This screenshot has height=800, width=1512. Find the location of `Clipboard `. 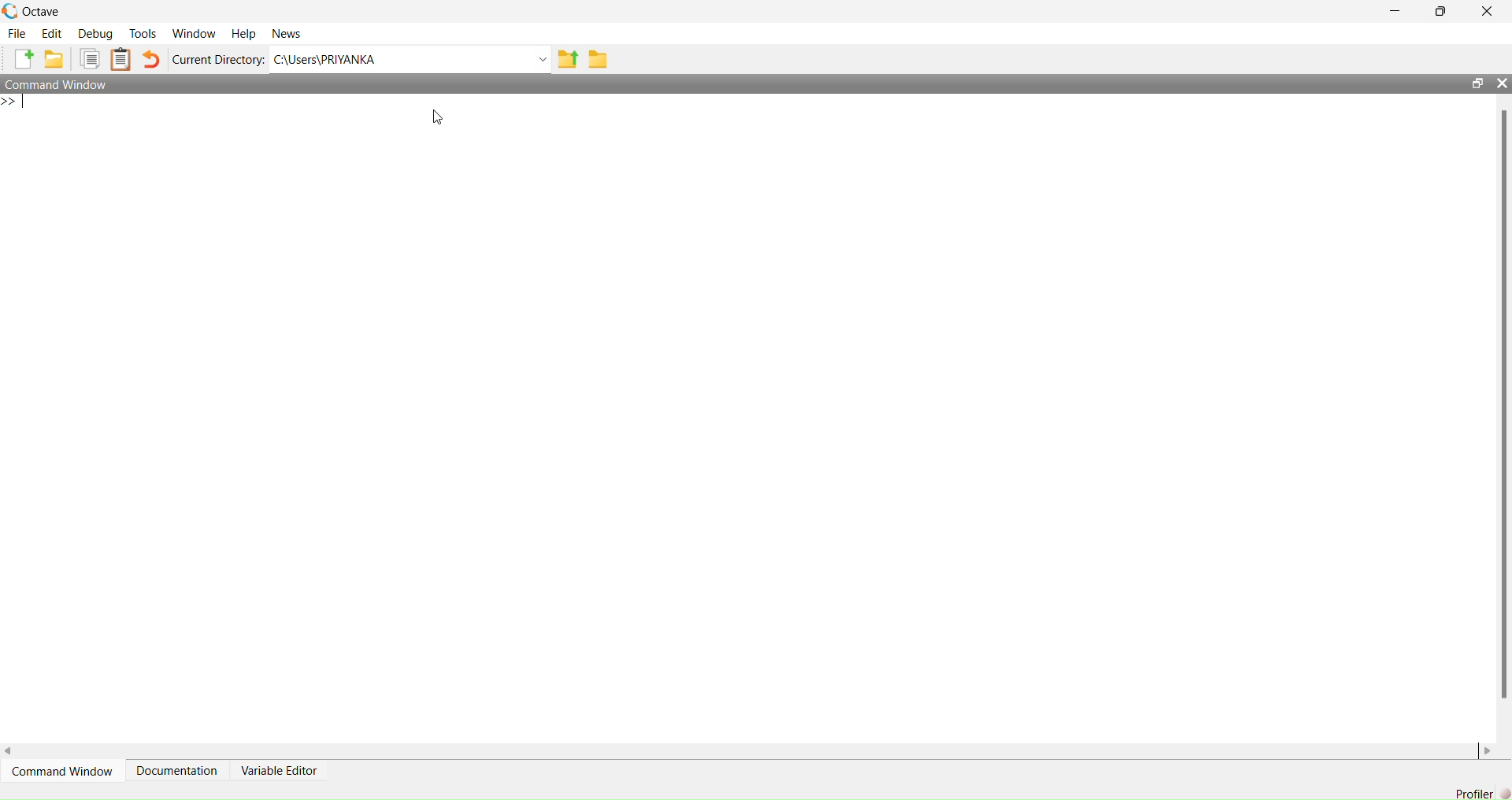

Clipboard  is located at coordinates (121, 59).